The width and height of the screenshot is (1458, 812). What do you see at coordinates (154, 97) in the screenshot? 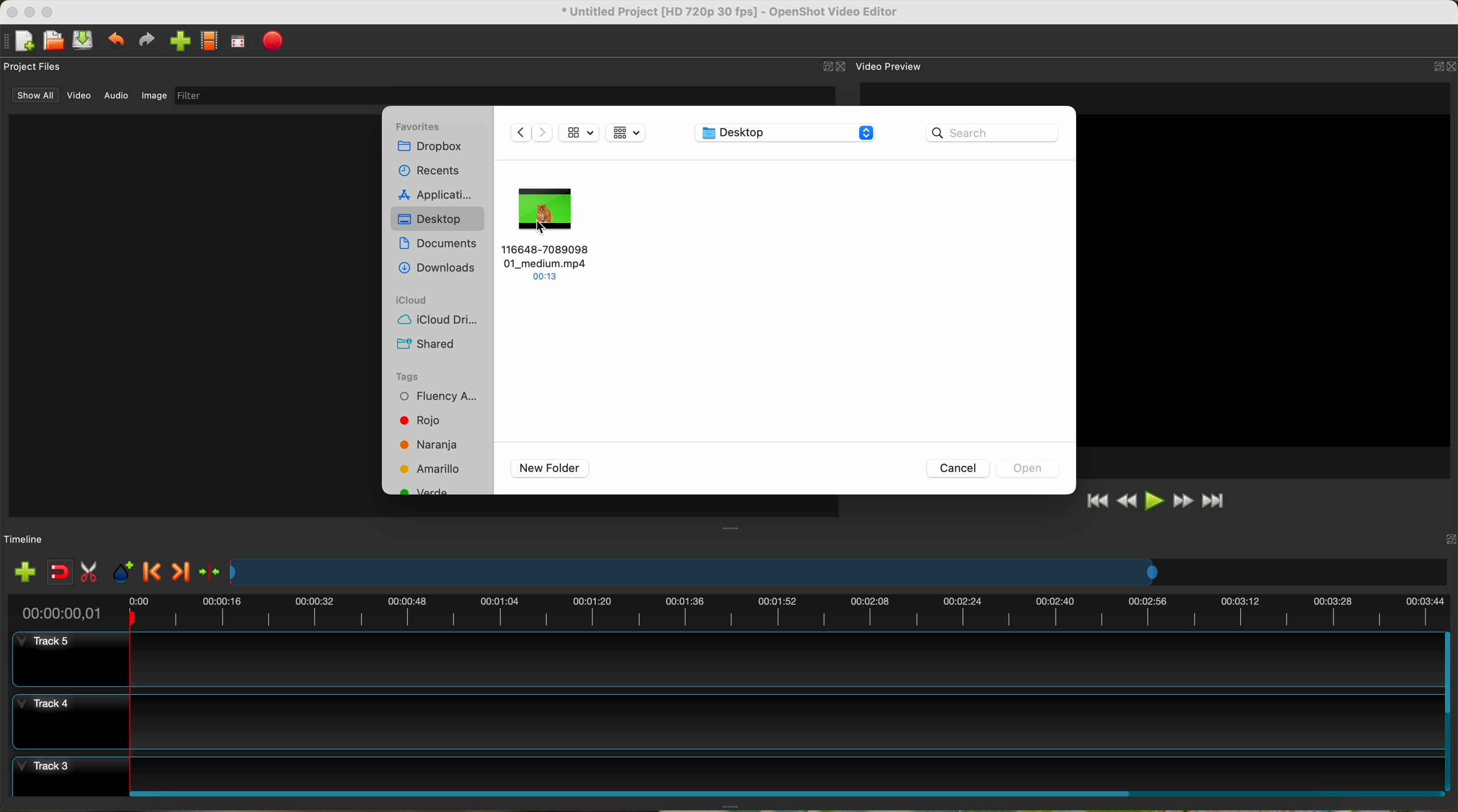
I see `image` at bounding box center [154, 97].